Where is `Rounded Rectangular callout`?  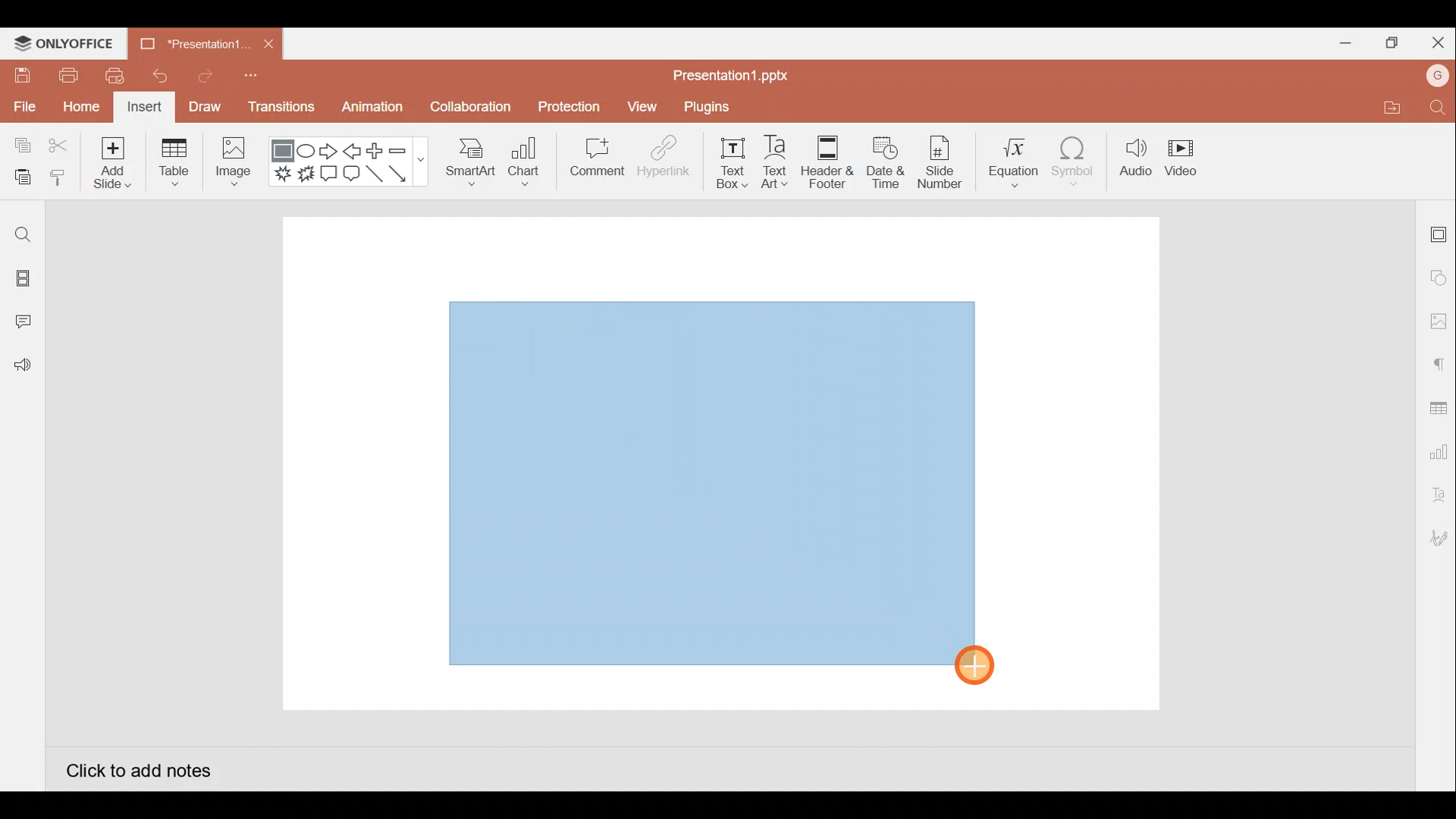
Rounded Rectangular callout is located at coordinates (351, 171).